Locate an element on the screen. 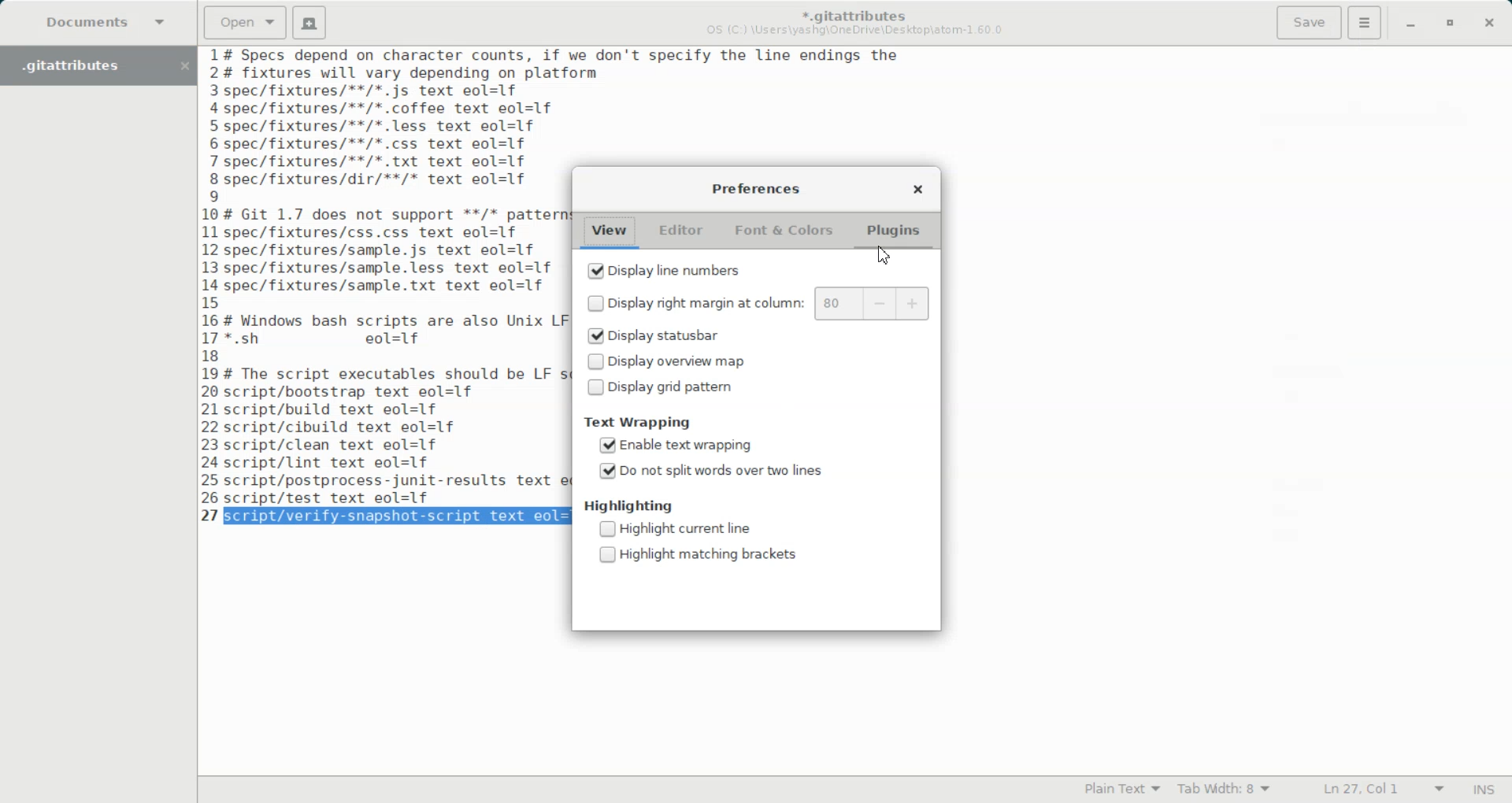 This screenshot has width=1512, height=803. Ln 27, Col 42 is located at coordinates (1377, 790).